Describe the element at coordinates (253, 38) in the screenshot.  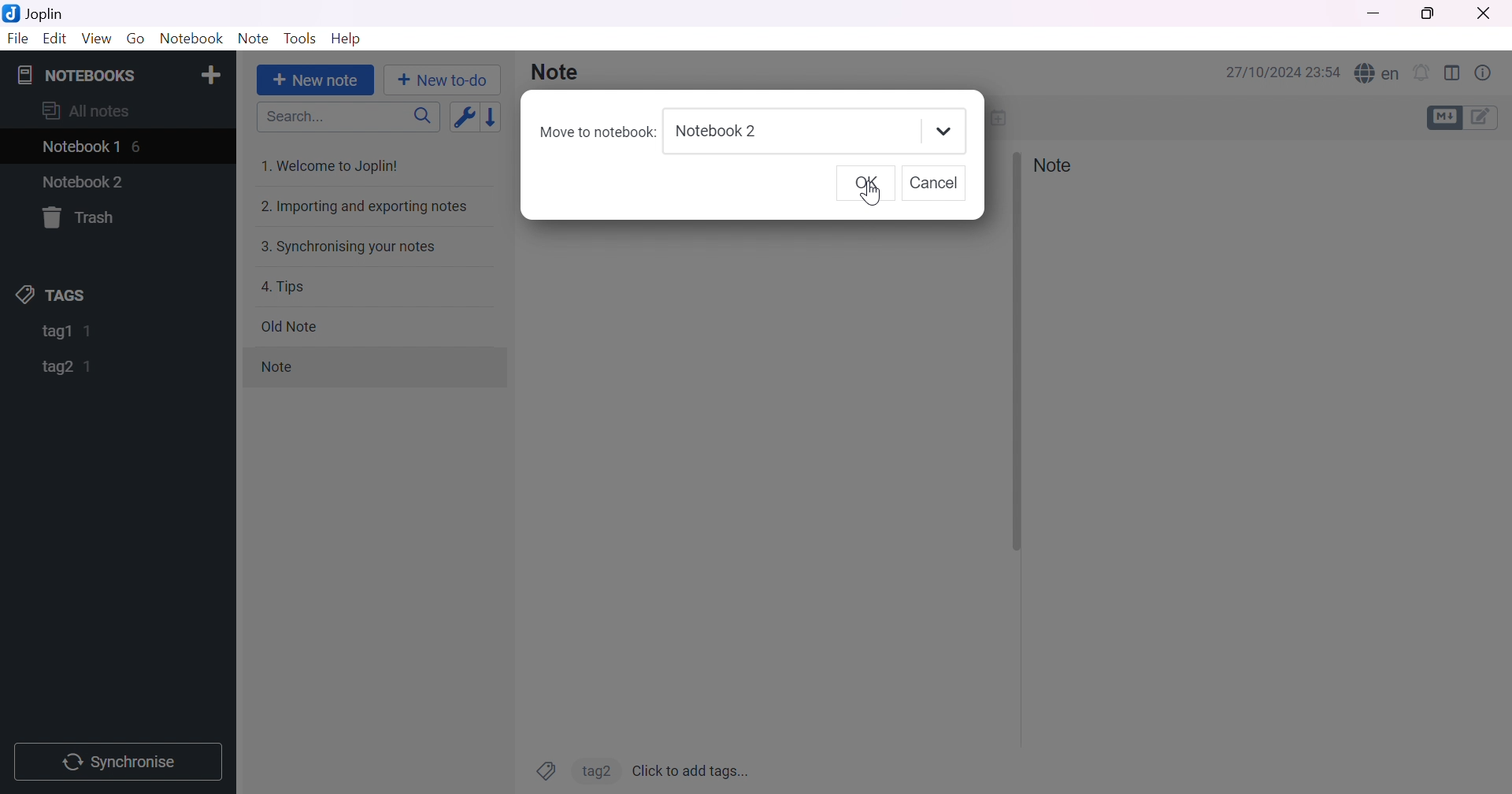
I see `Note` at that location.